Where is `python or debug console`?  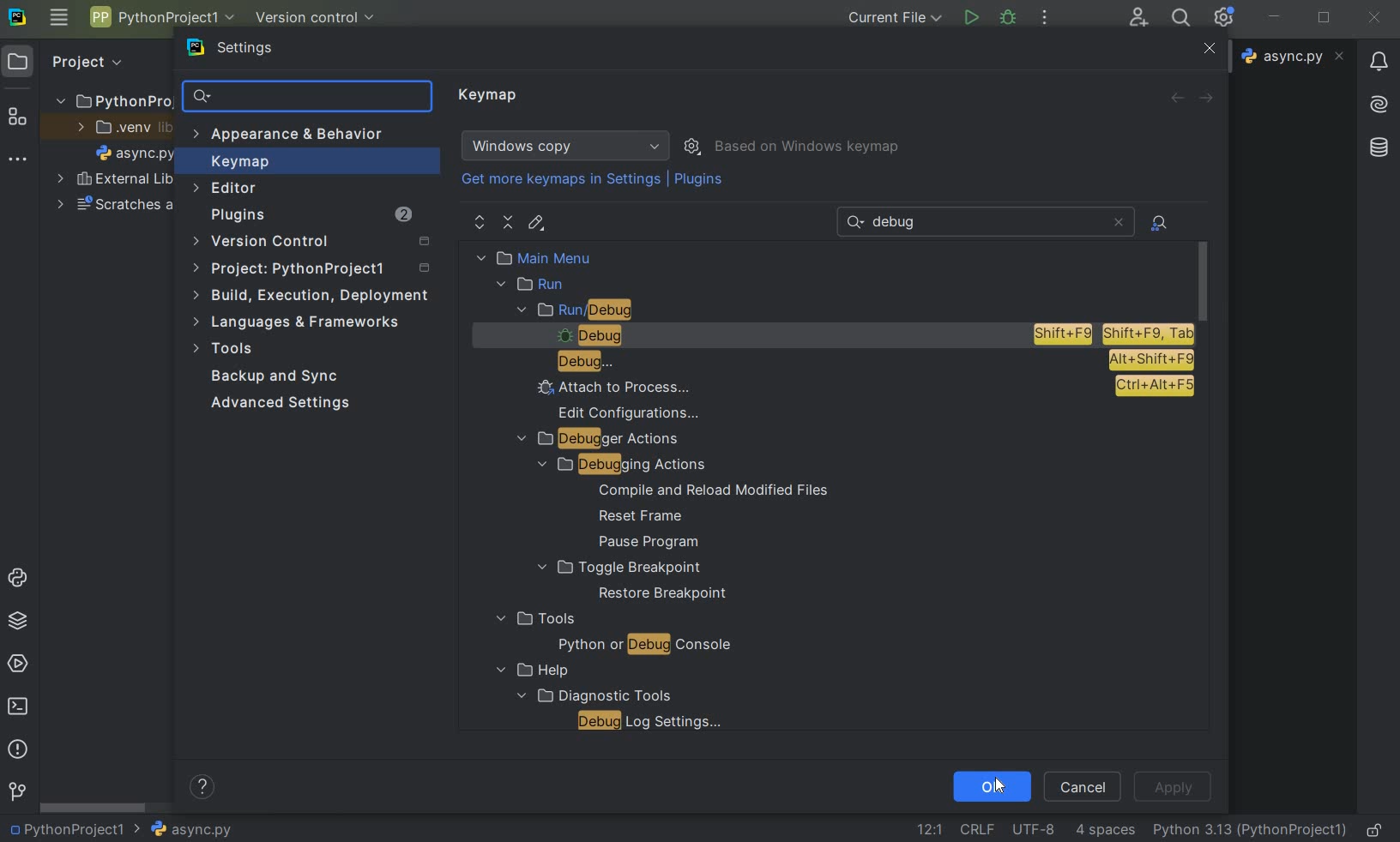
python or debug console is located at coordinates (644, 647).